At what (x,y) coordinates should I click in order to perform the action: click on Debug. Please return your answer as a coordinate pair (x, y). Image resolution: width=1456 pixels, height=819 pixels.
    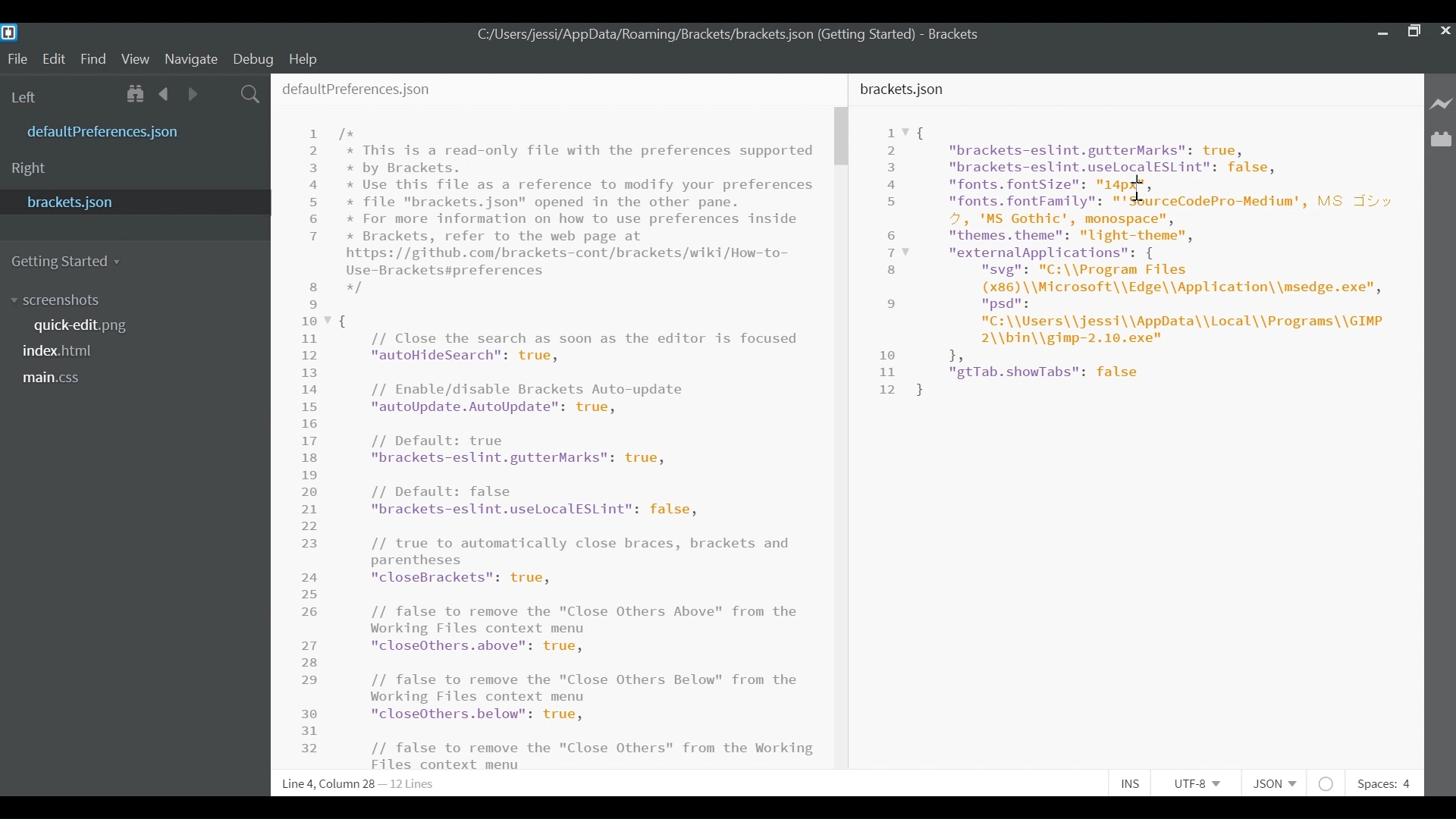
    Looking at the image, I should click on (252, 59).